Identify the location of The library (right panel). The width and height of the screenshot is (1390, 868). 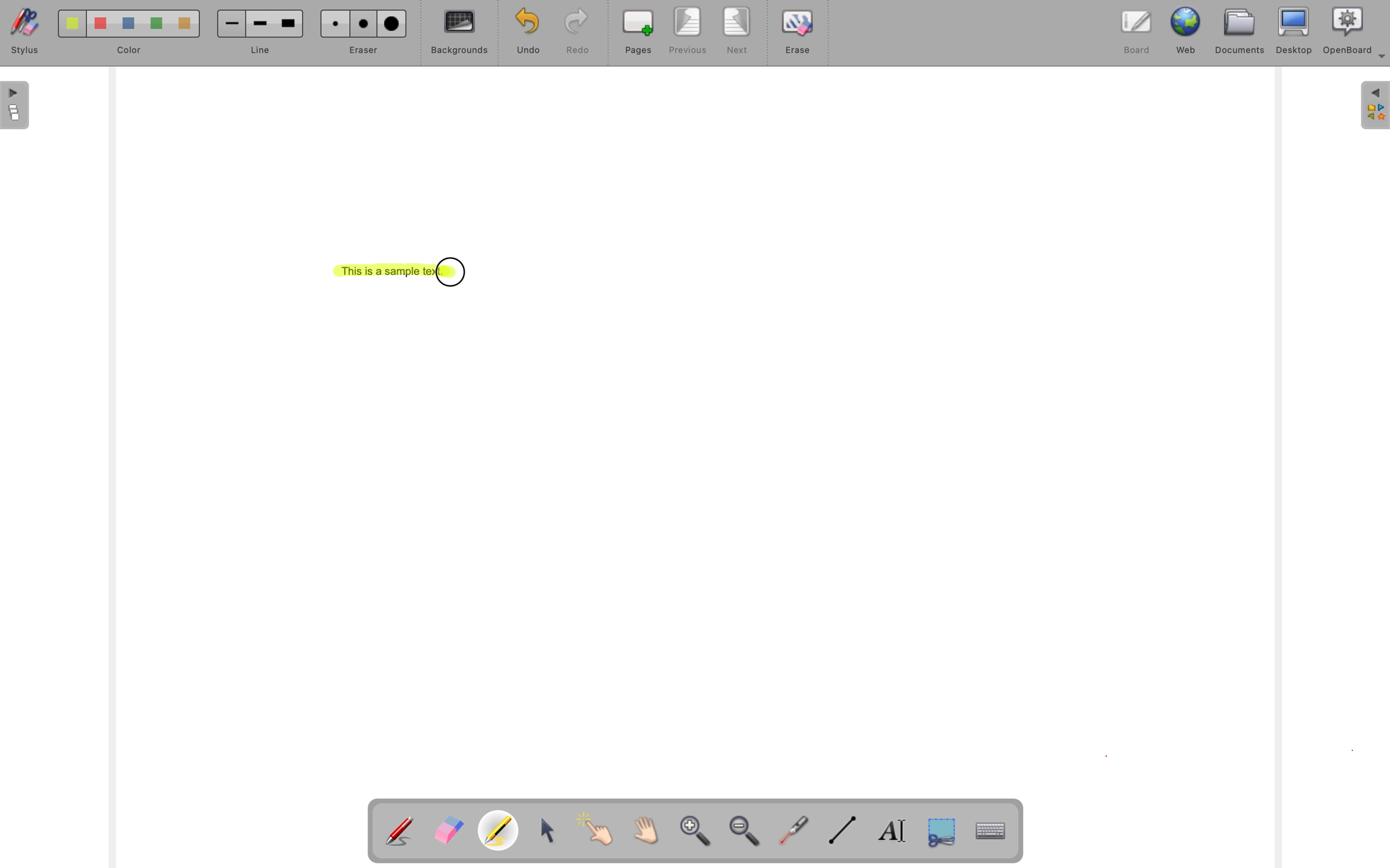
(1375, 106).